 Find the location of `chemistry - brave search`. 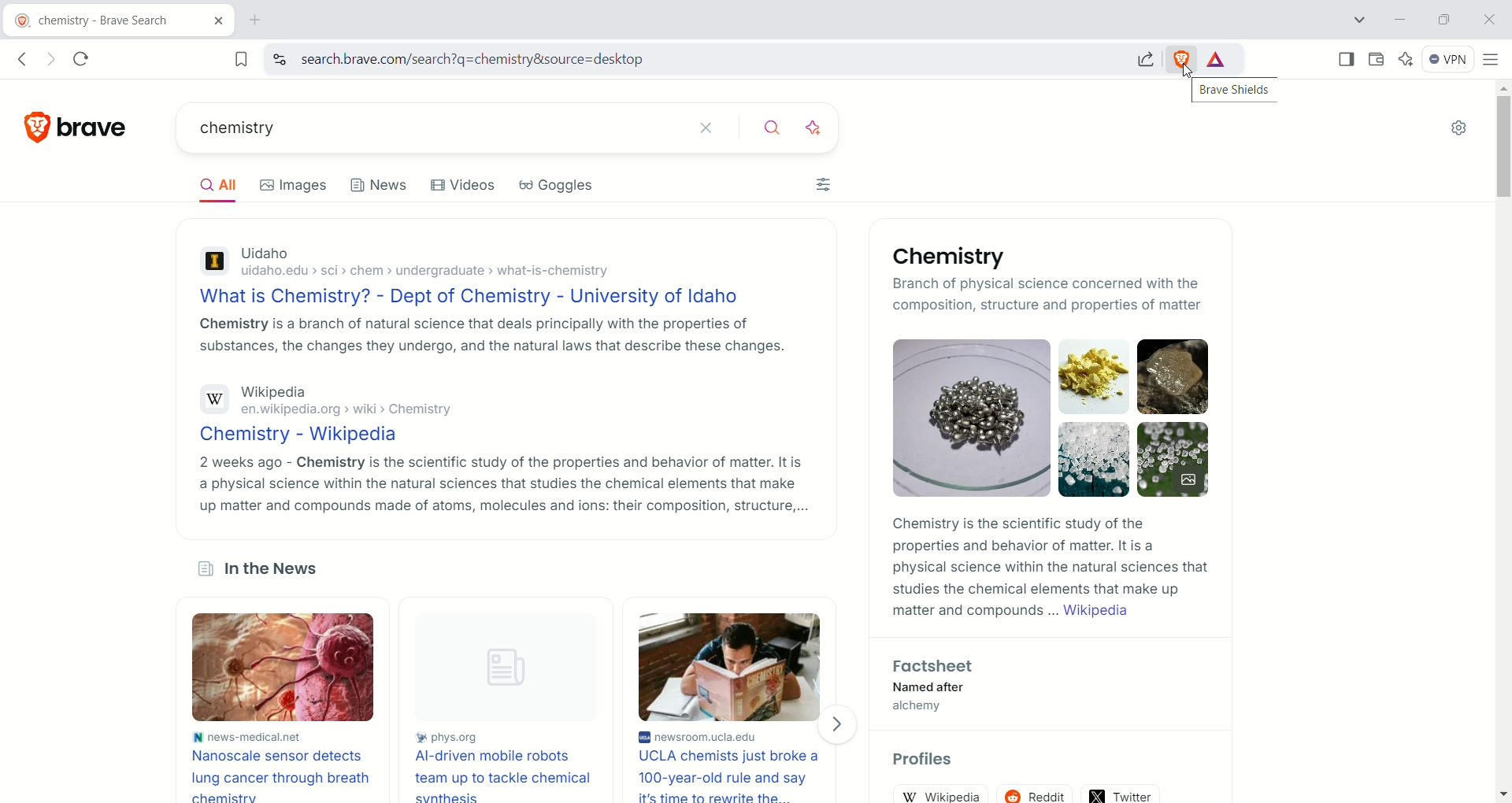

chemistry - brave search is located at coordinates (117, 18).